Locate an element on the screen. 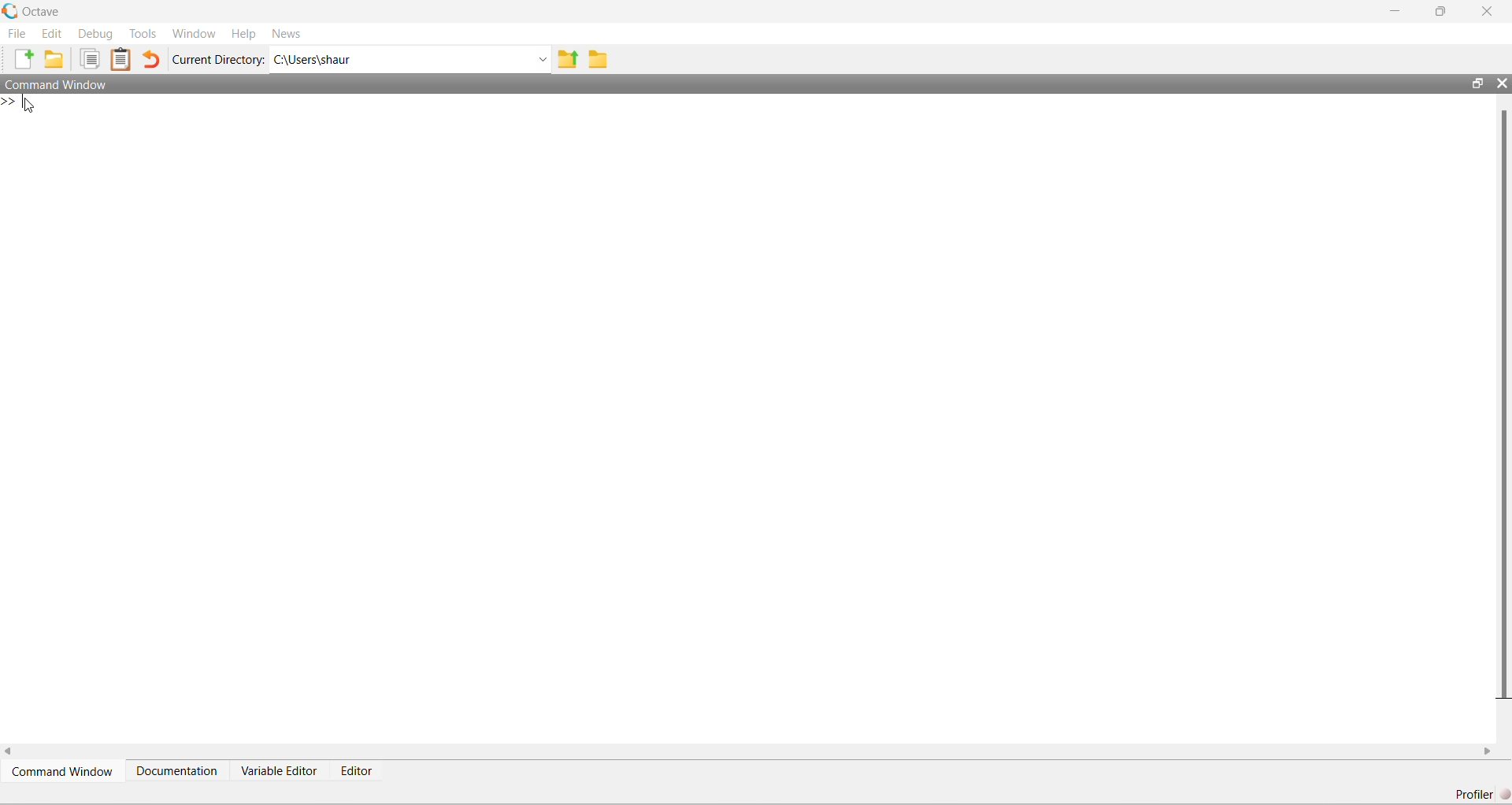  vertical scroll bar is located at coordinates (1503, 413).